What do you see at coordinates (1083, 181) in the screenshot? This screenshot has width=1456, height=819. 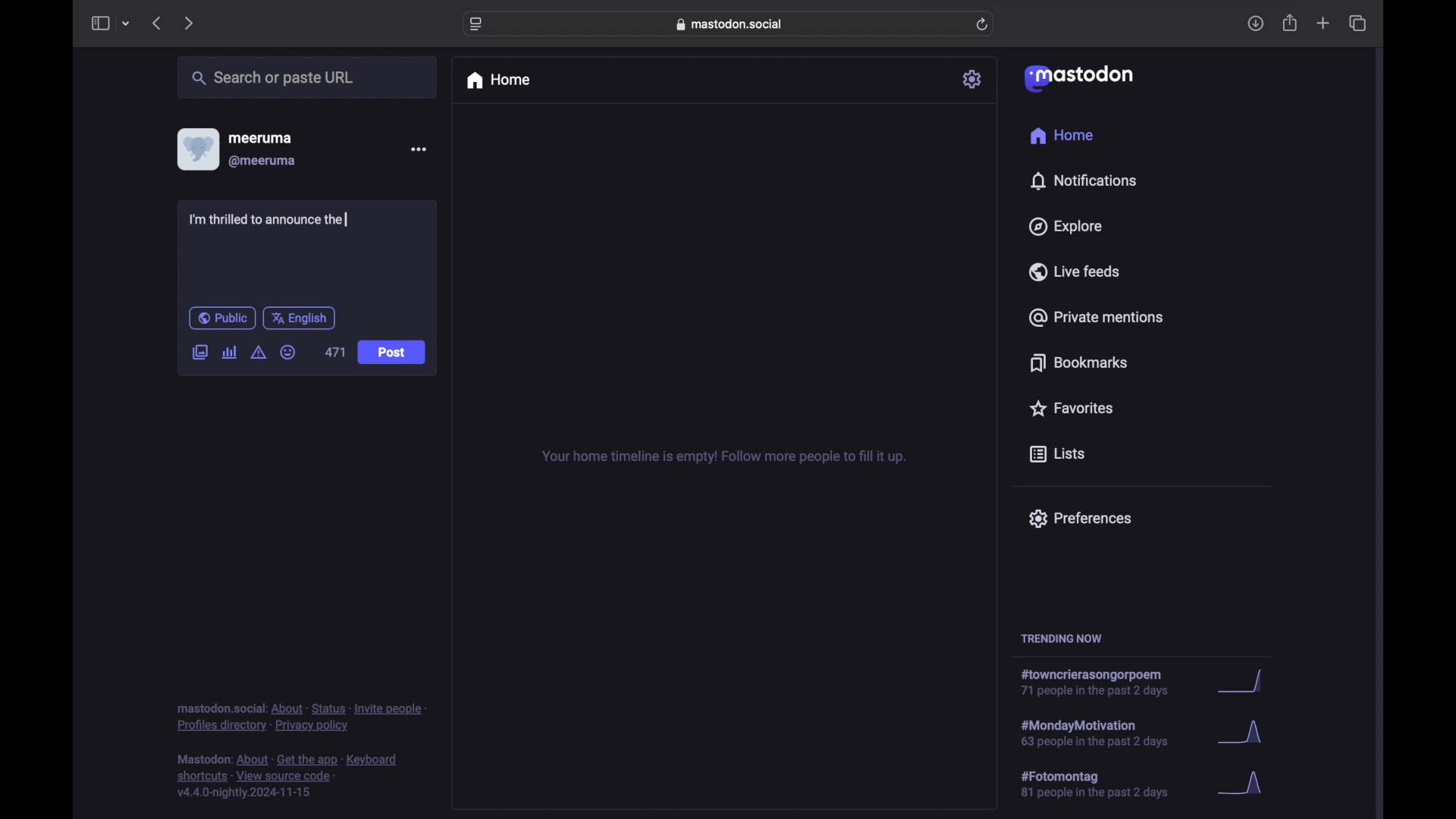 I see `notifications` at bounding box center [1083, 181].